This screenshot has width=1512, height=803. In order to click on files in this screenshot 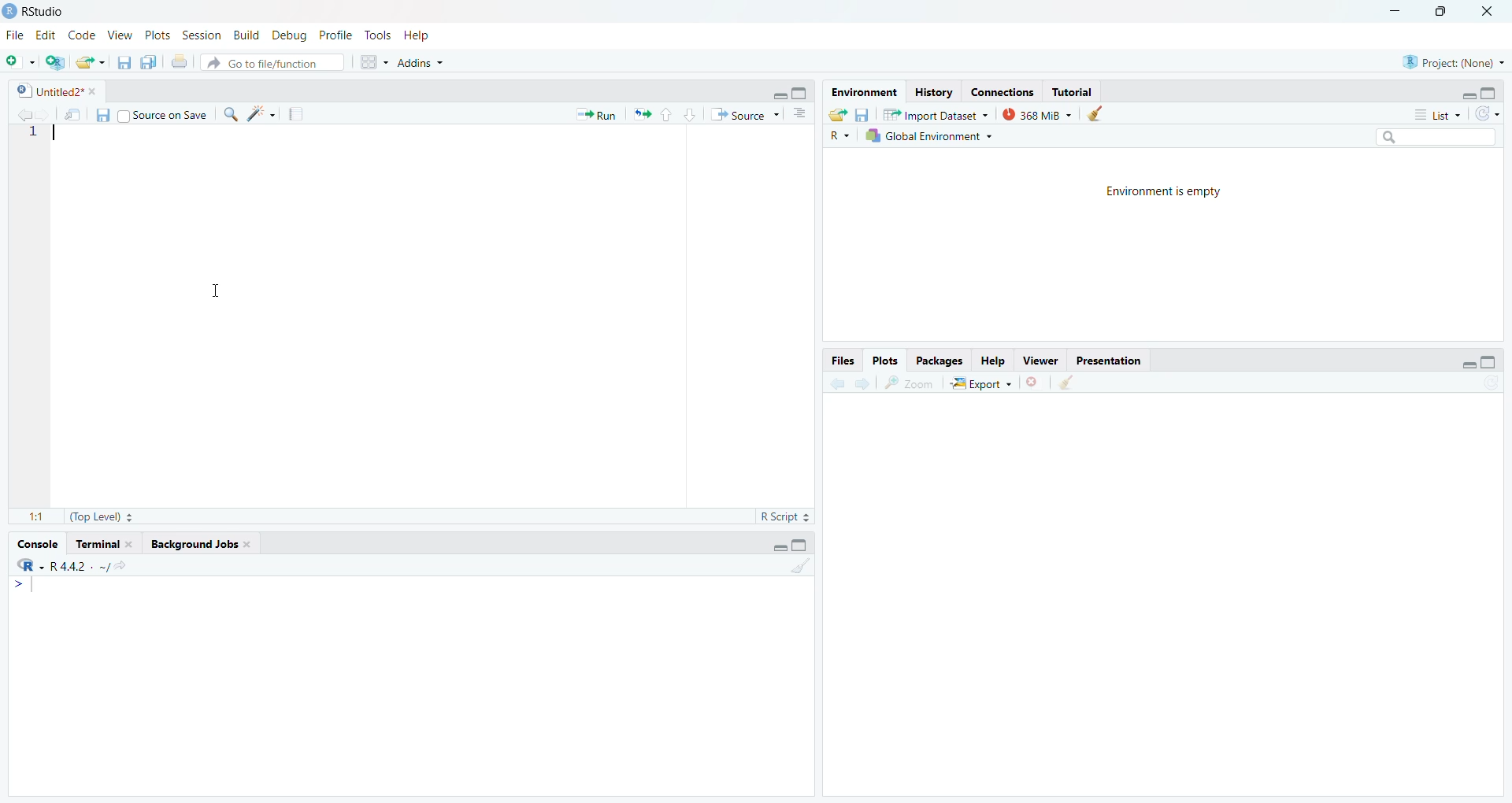, I will do `click(122, 65)`.